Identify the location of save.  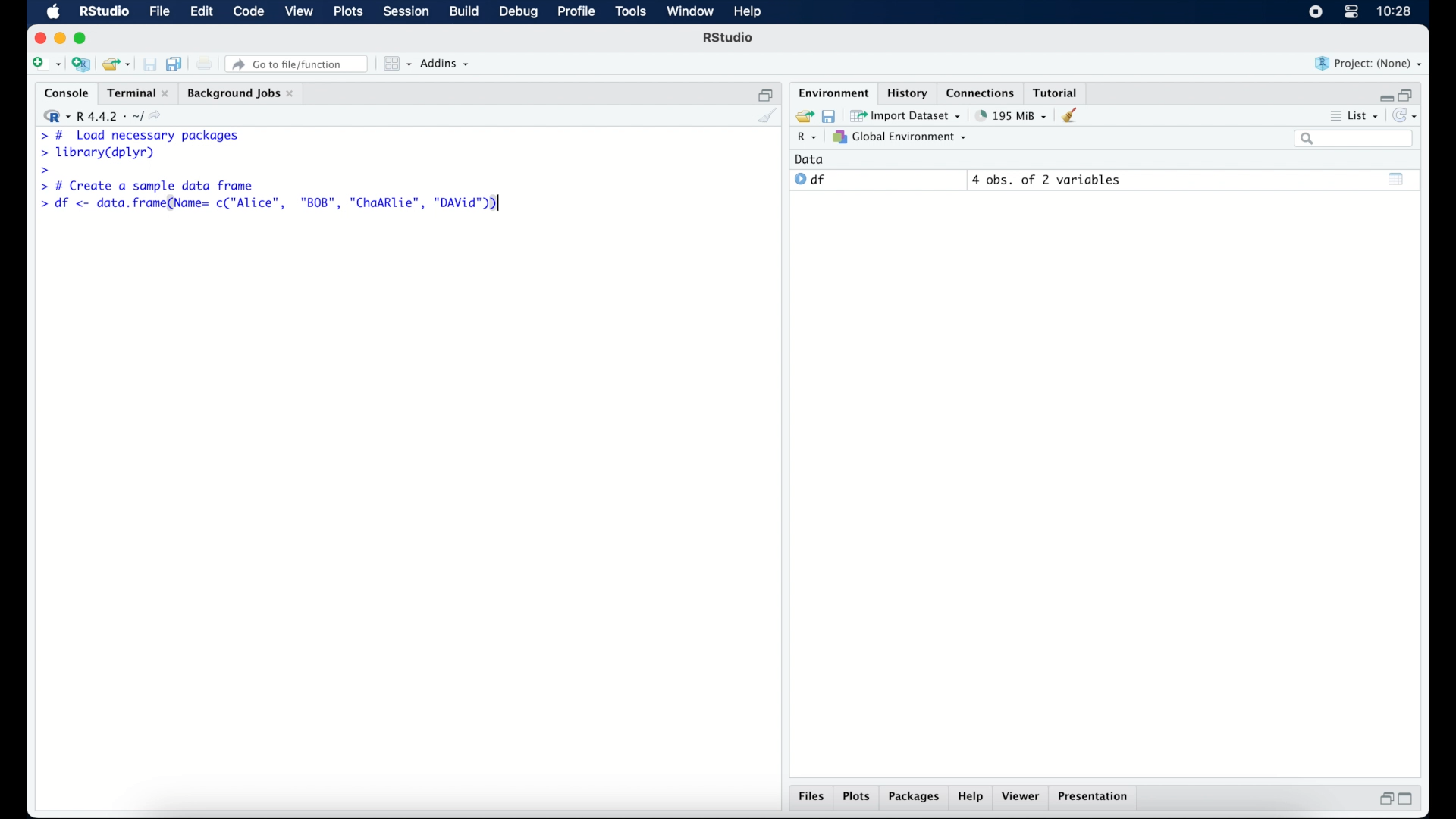
(149, 64).